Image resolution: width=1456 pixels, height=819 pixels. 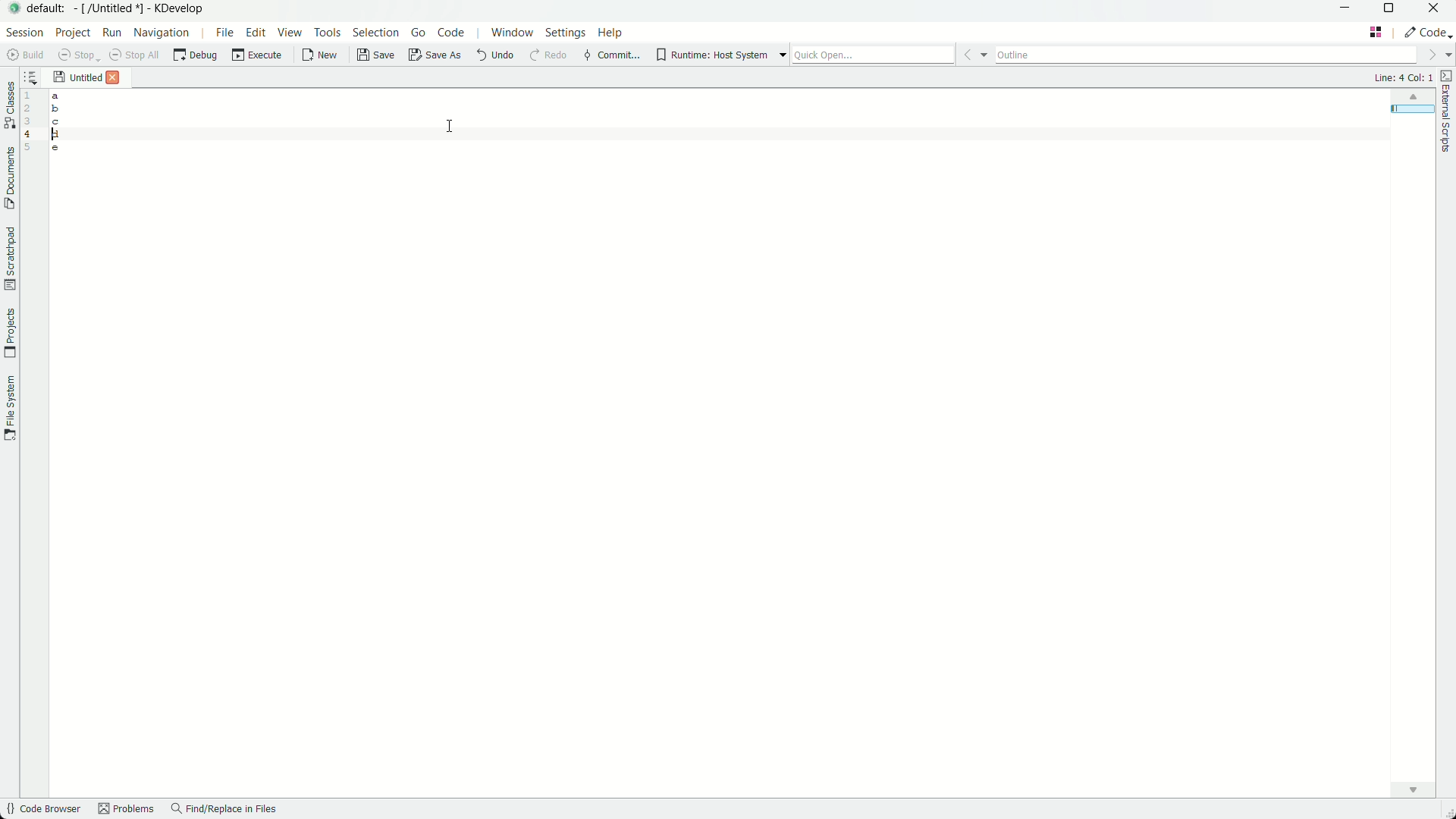 What do you see at coordinates (563, 35) in the screenshot?
I see `settings` at bounding box center [563, 35].